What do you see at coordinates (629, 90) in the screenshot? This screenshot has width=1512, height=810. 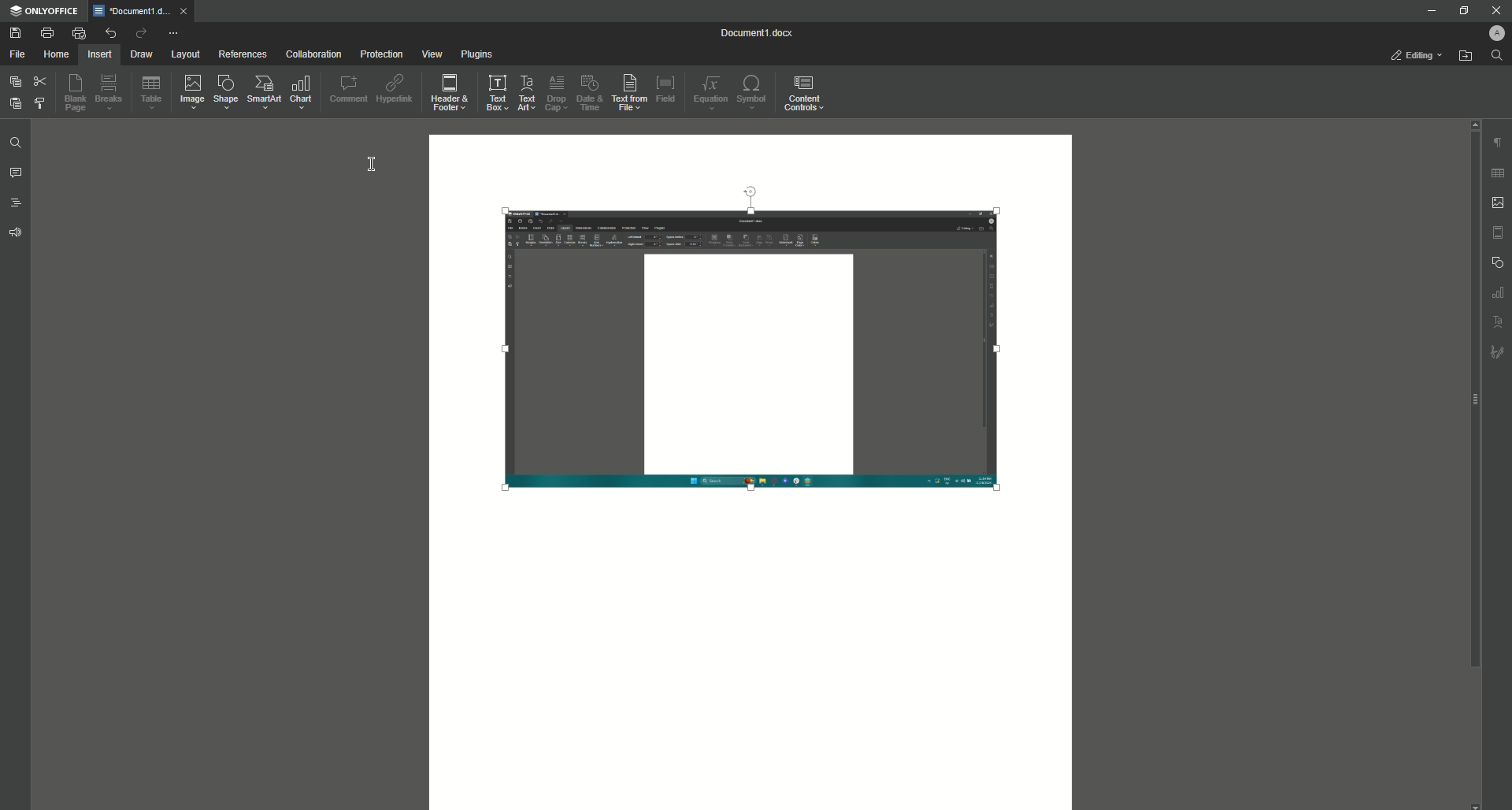 I see `Text From File` at bounding box center [629, 90].